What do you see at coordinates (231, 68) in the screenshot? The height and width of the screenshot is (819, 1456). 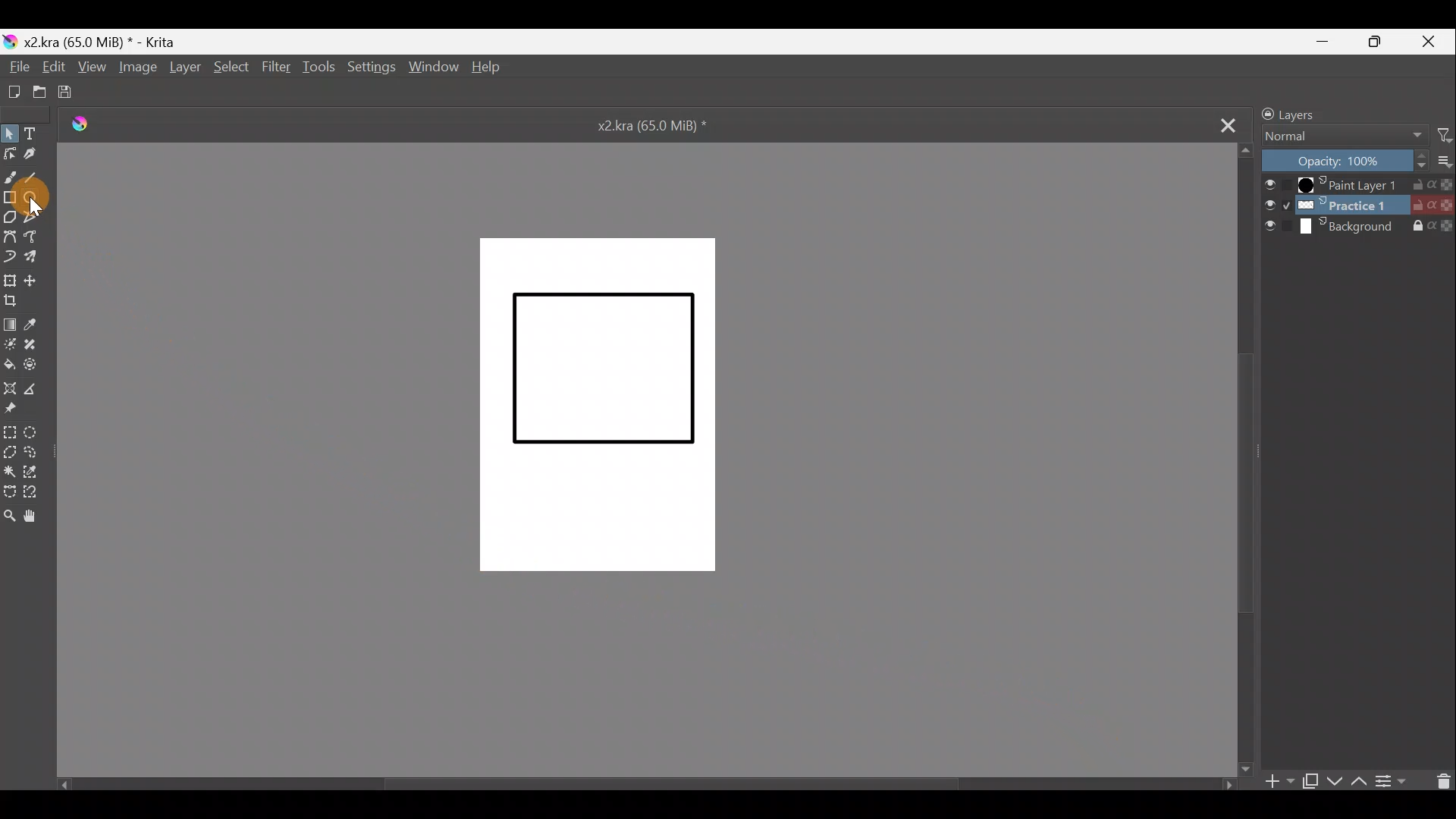 I see `Select` at bounding box center [231, 68].